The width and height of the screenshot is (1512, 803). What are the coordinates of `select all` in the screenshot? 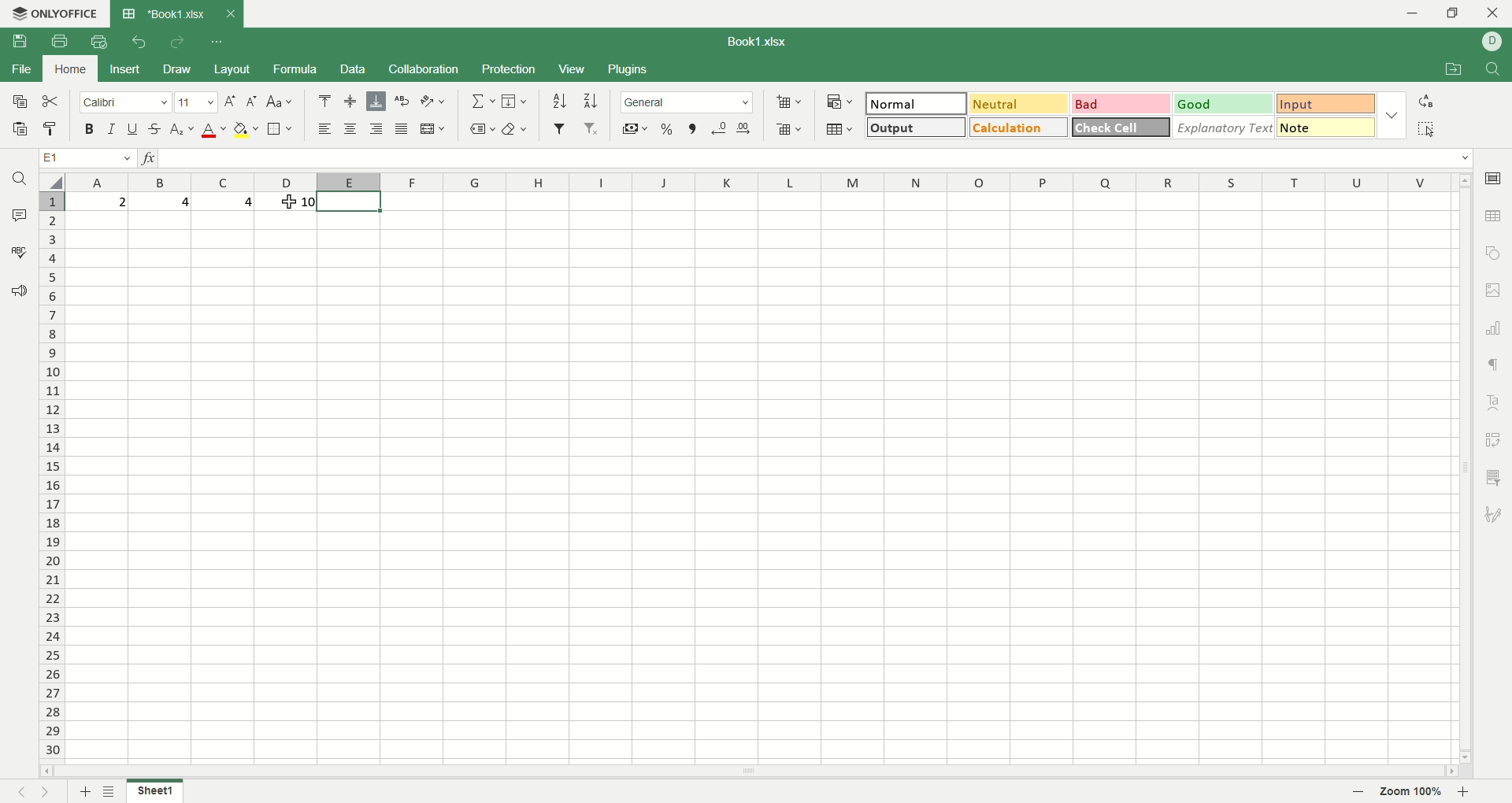 It's located at (1426, 128).